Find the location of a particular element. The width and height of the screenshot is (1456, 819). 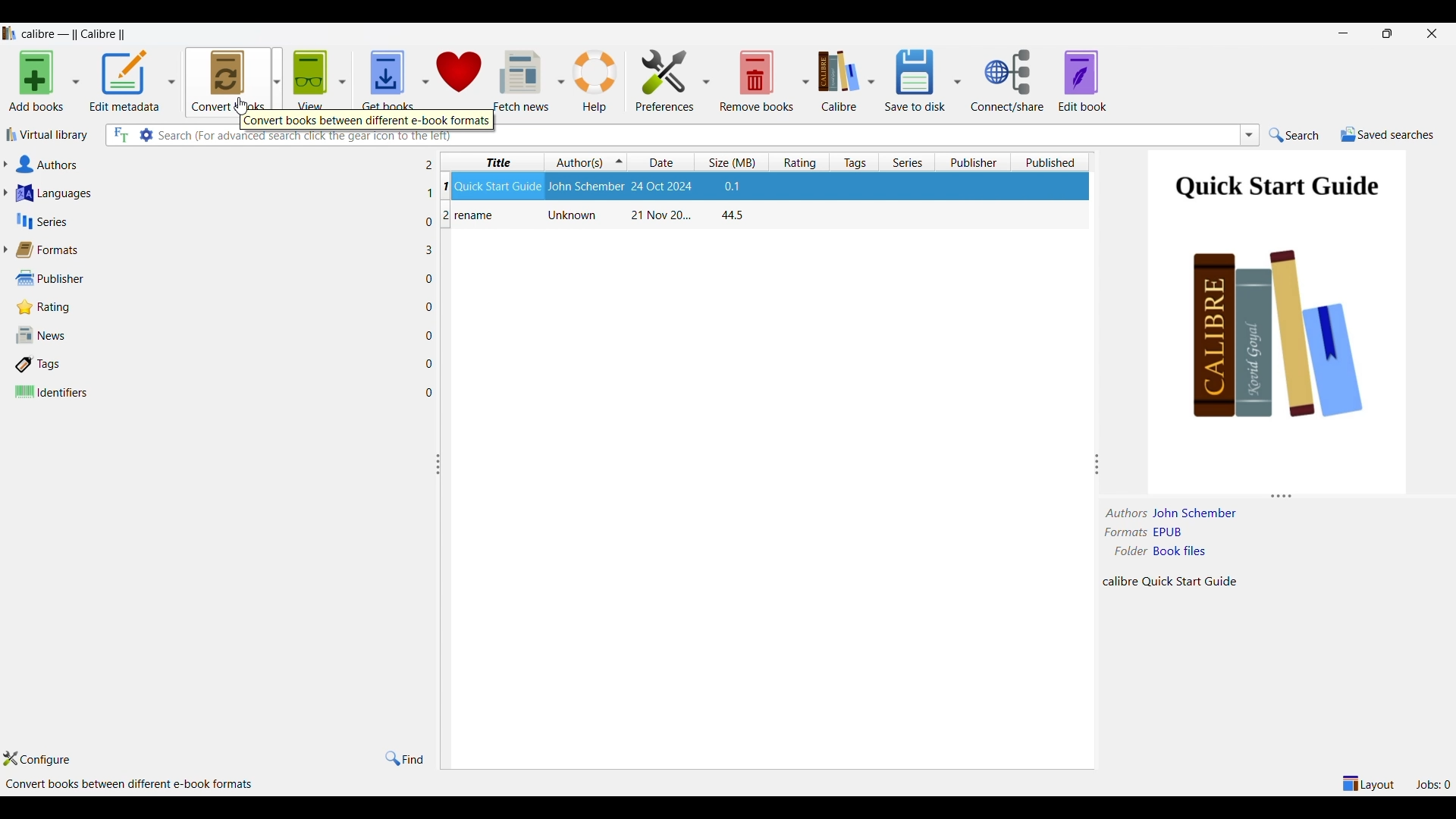

Minimize is located at coordinates (1343, 33).